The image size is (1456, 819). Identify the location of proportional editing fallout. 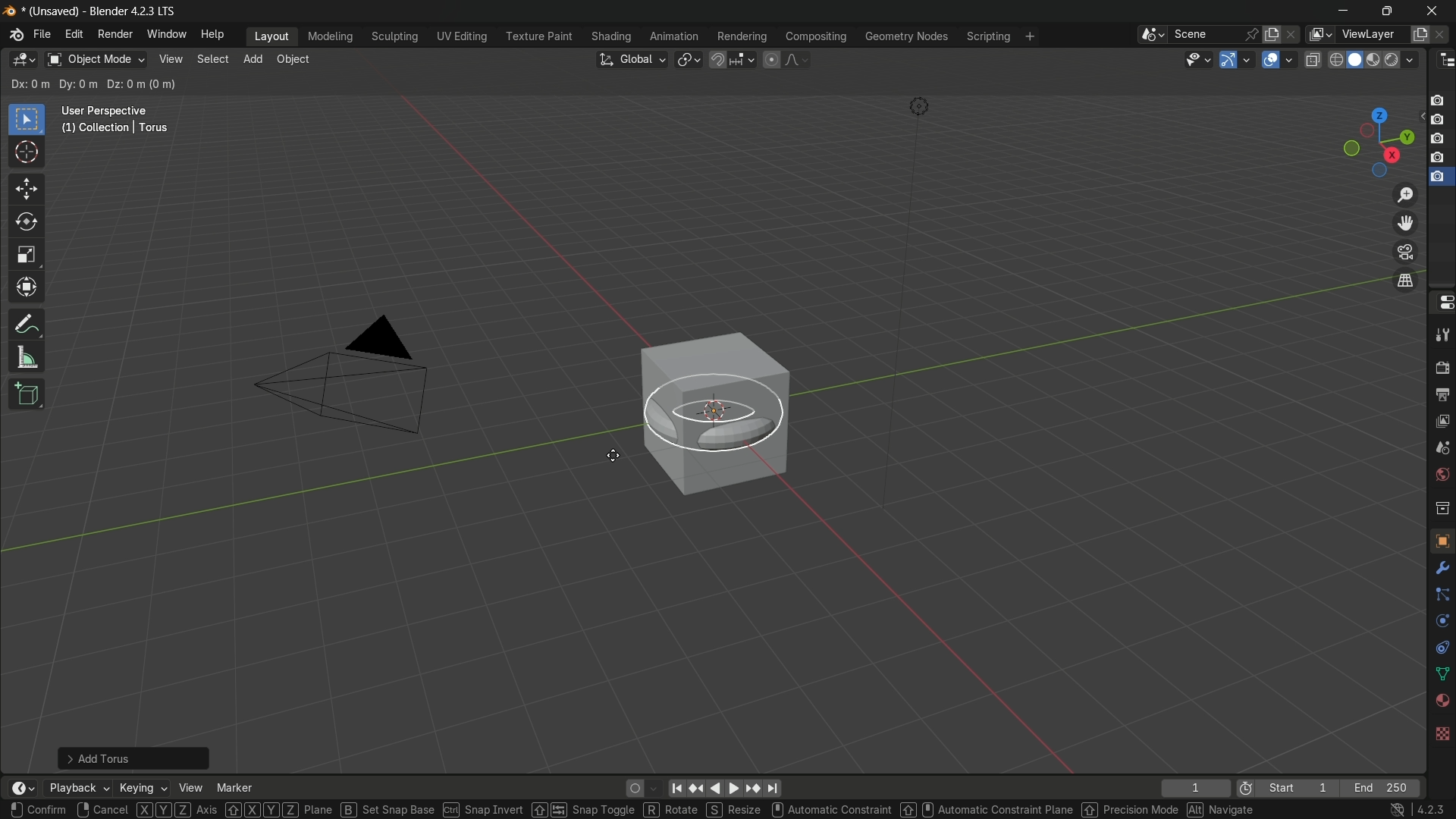
(794, 59).